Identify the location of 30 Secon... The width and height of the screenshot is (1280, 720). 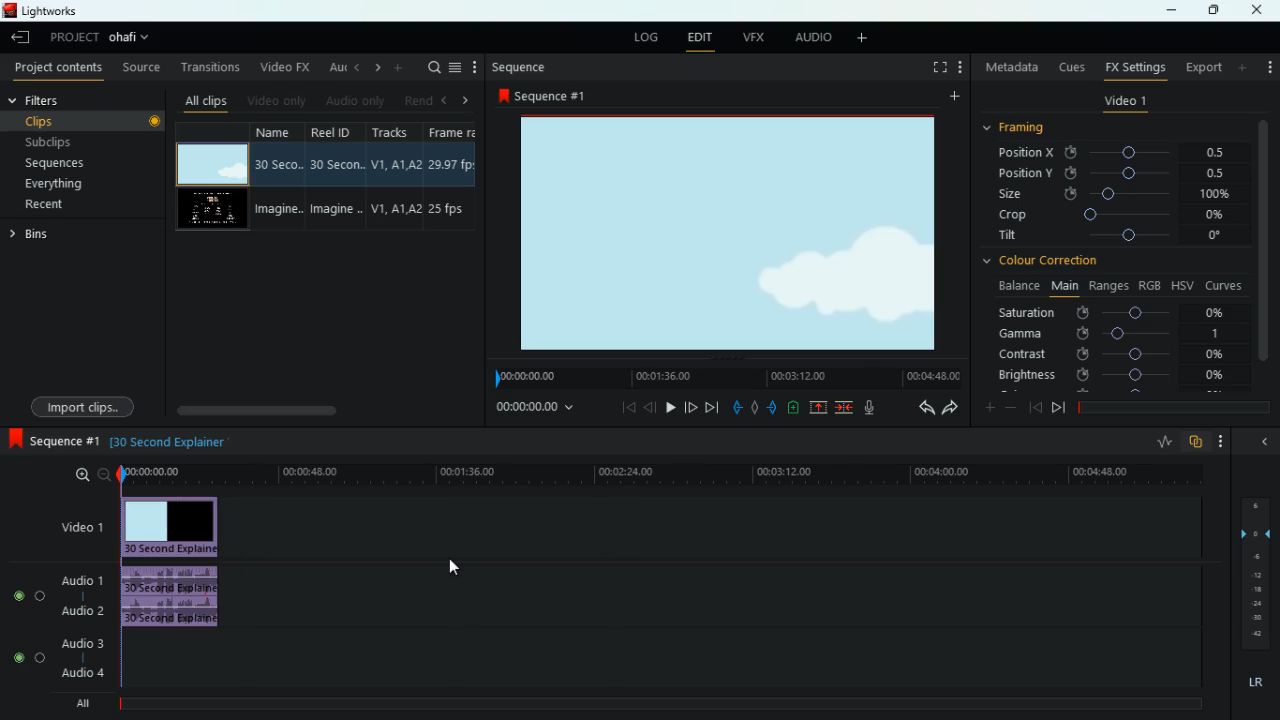
(339, 162).